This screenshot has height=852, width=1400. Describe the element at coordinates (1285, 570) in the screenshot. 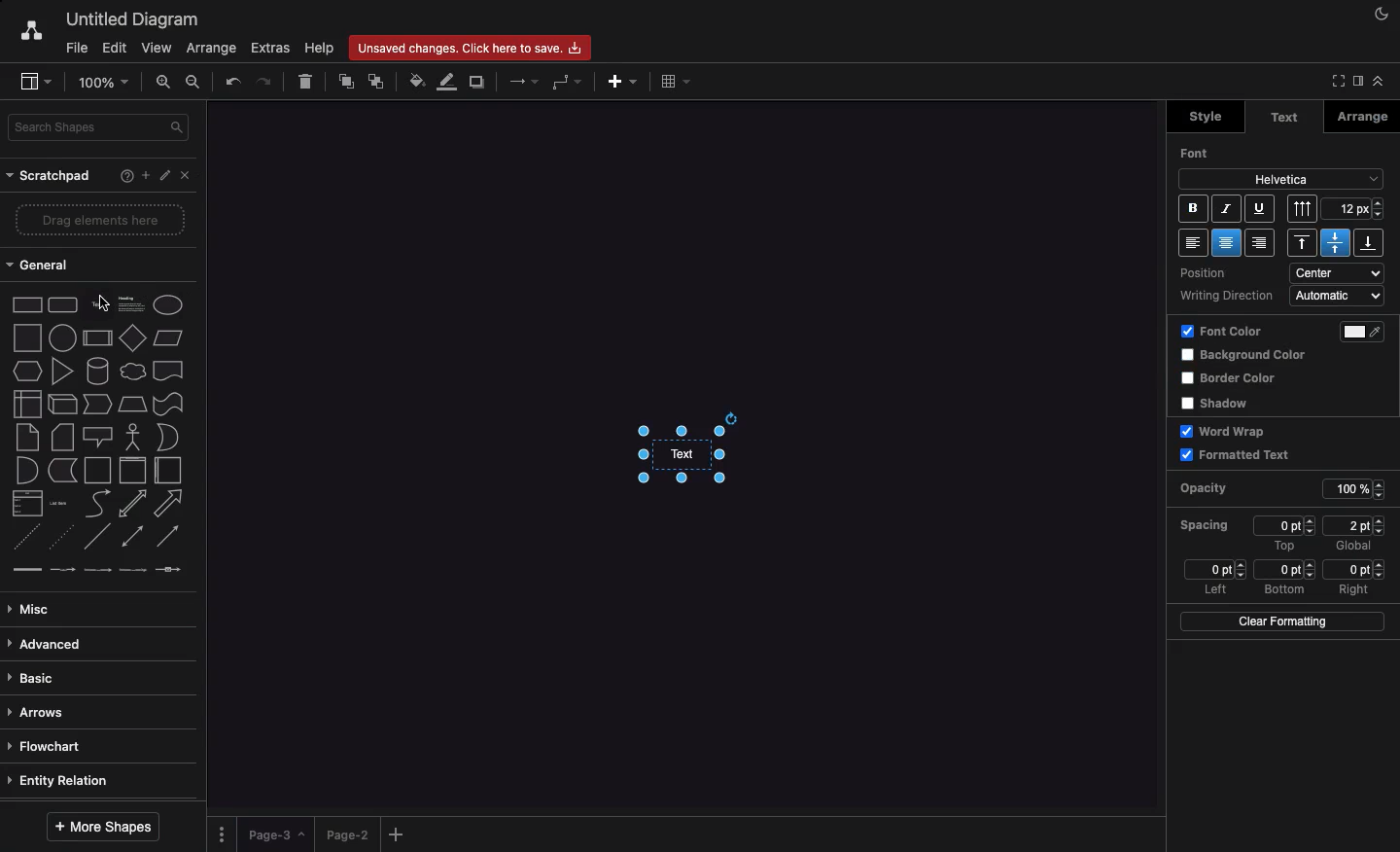

I see `0 pt` at that location.